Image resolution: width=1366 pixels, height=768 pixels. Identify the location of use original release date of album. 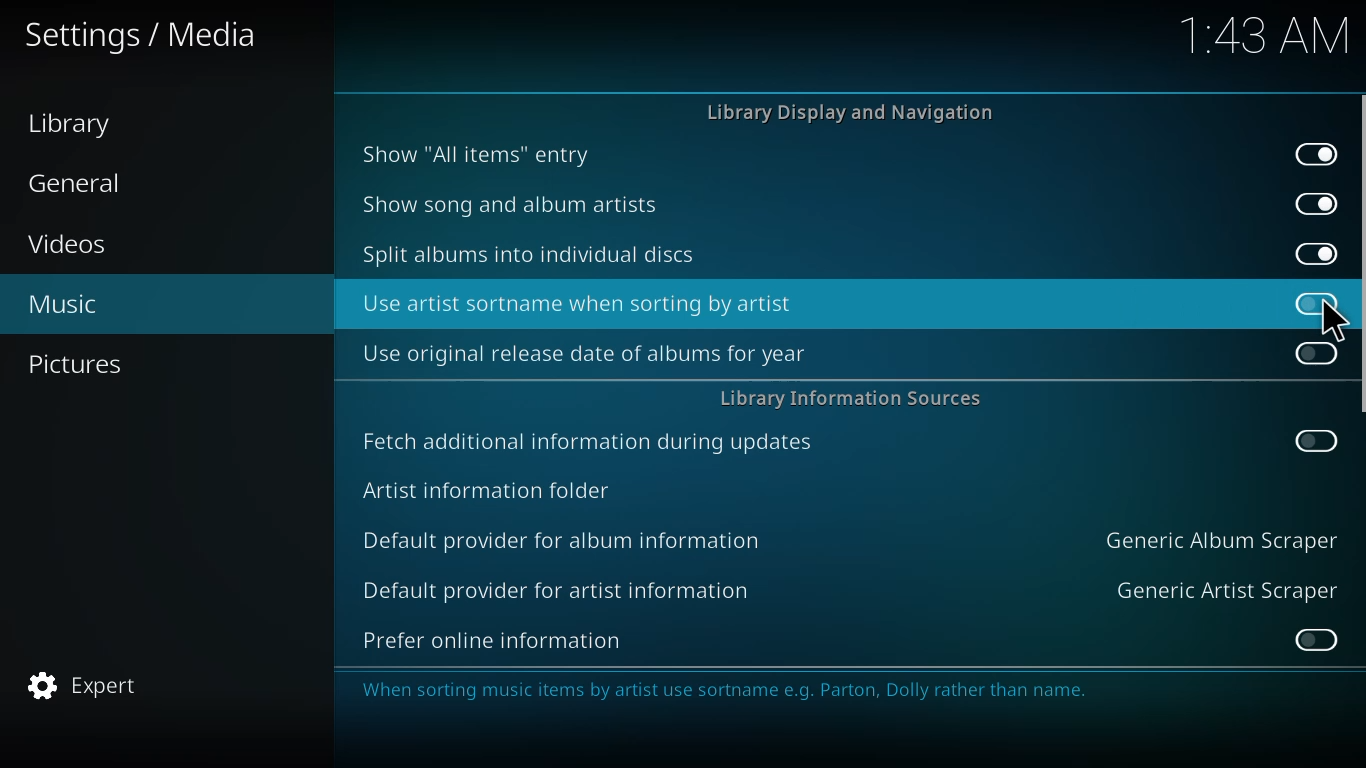
(583, 353).